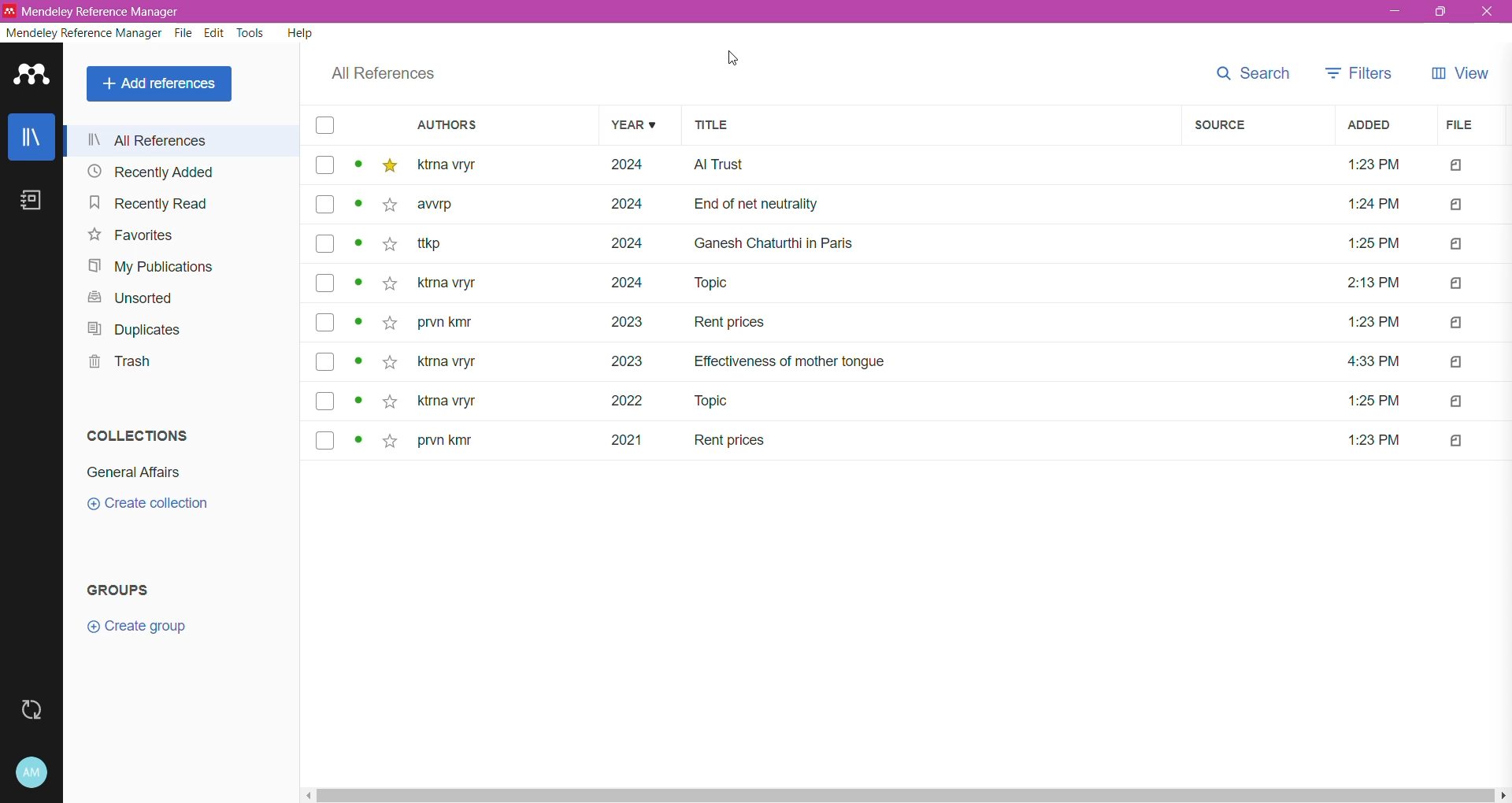  Describe the element at coordinates (1377, 282) in the screenshot. I see `2:13 PM` at that location.